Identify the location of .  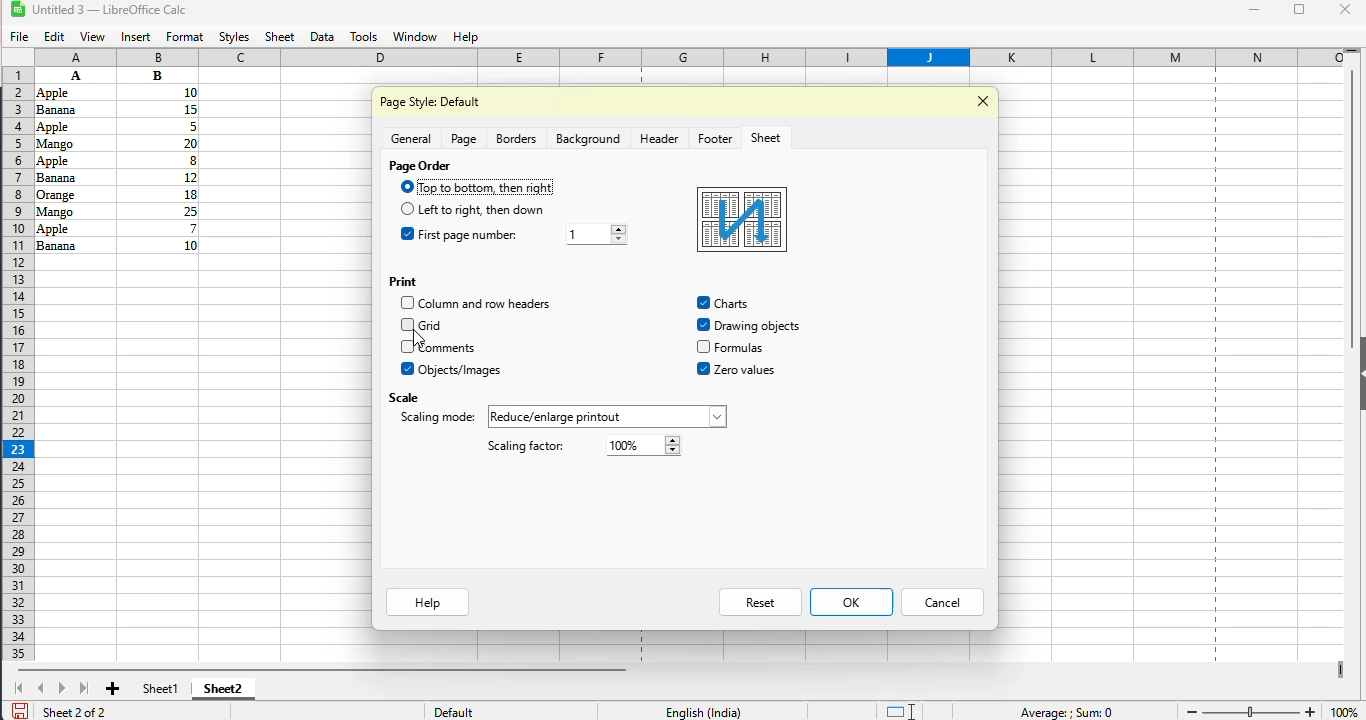
(74, 126).